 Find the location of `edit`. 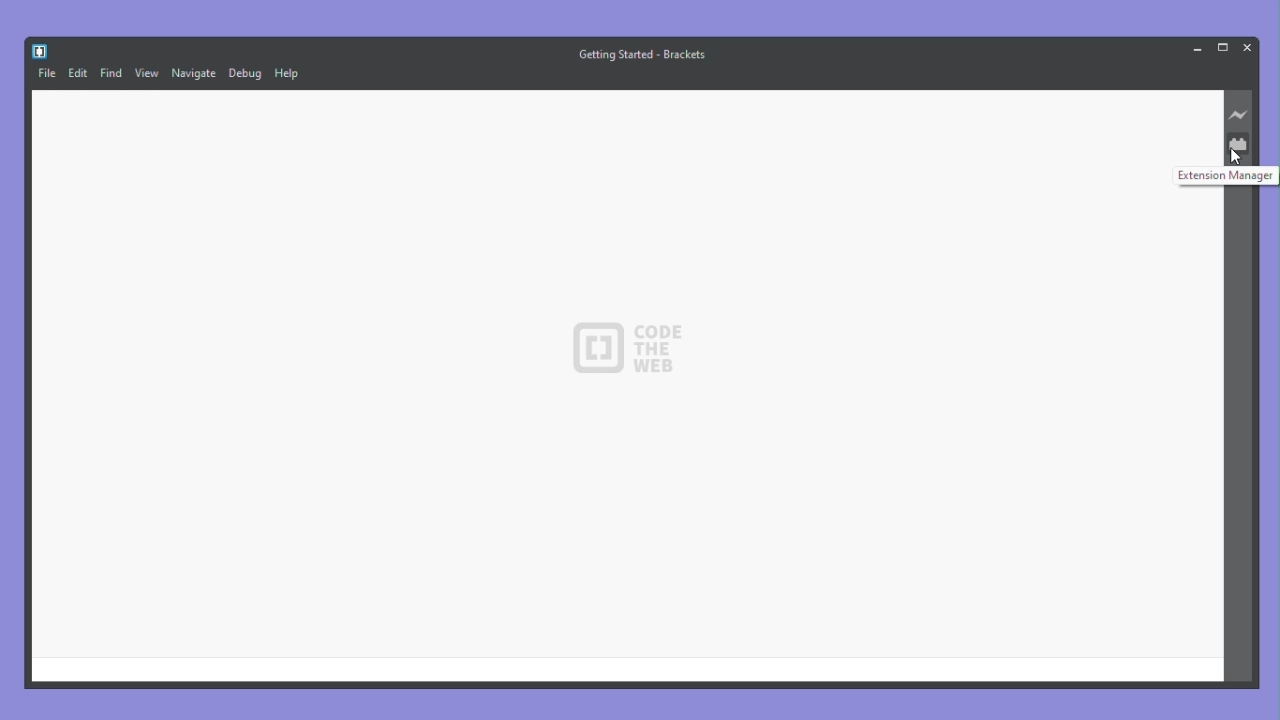

edit is located at coordinates (77, 73).